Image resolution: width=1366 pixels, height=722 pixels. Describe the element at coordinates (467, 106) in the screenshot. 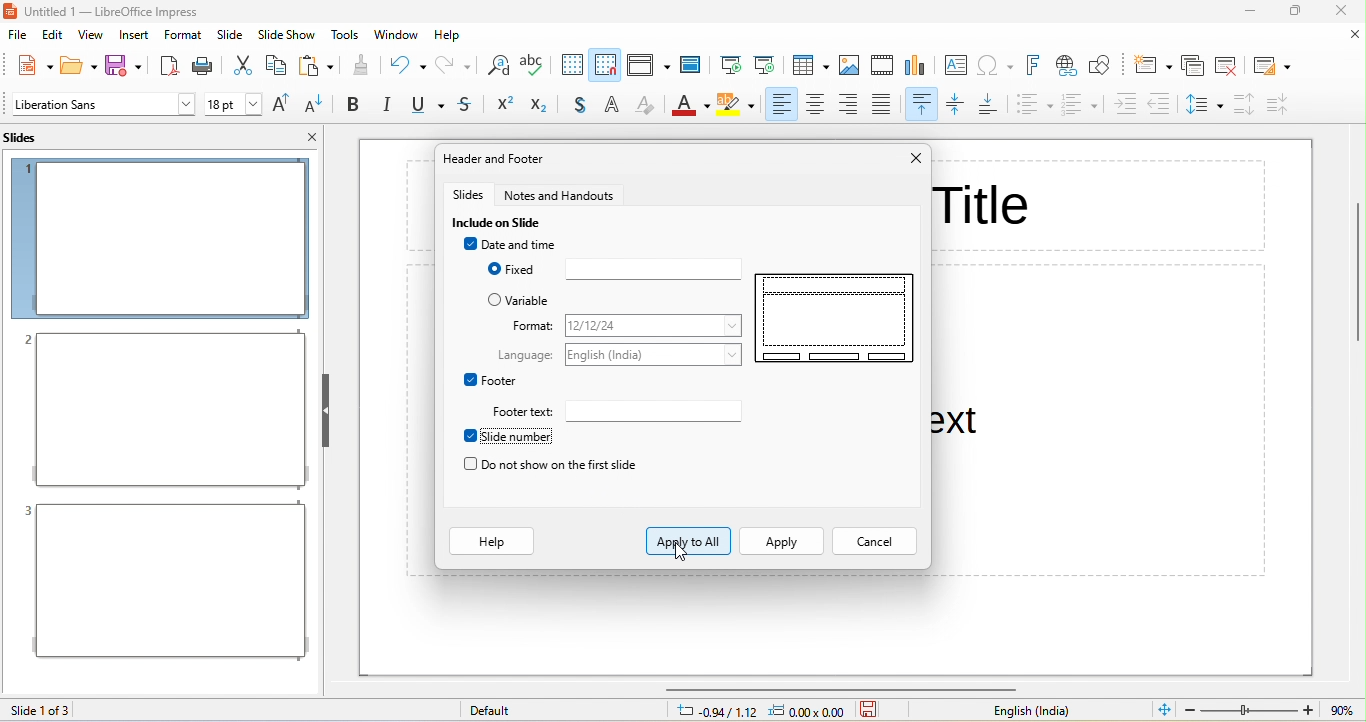

I see `strikethrough` at that location.